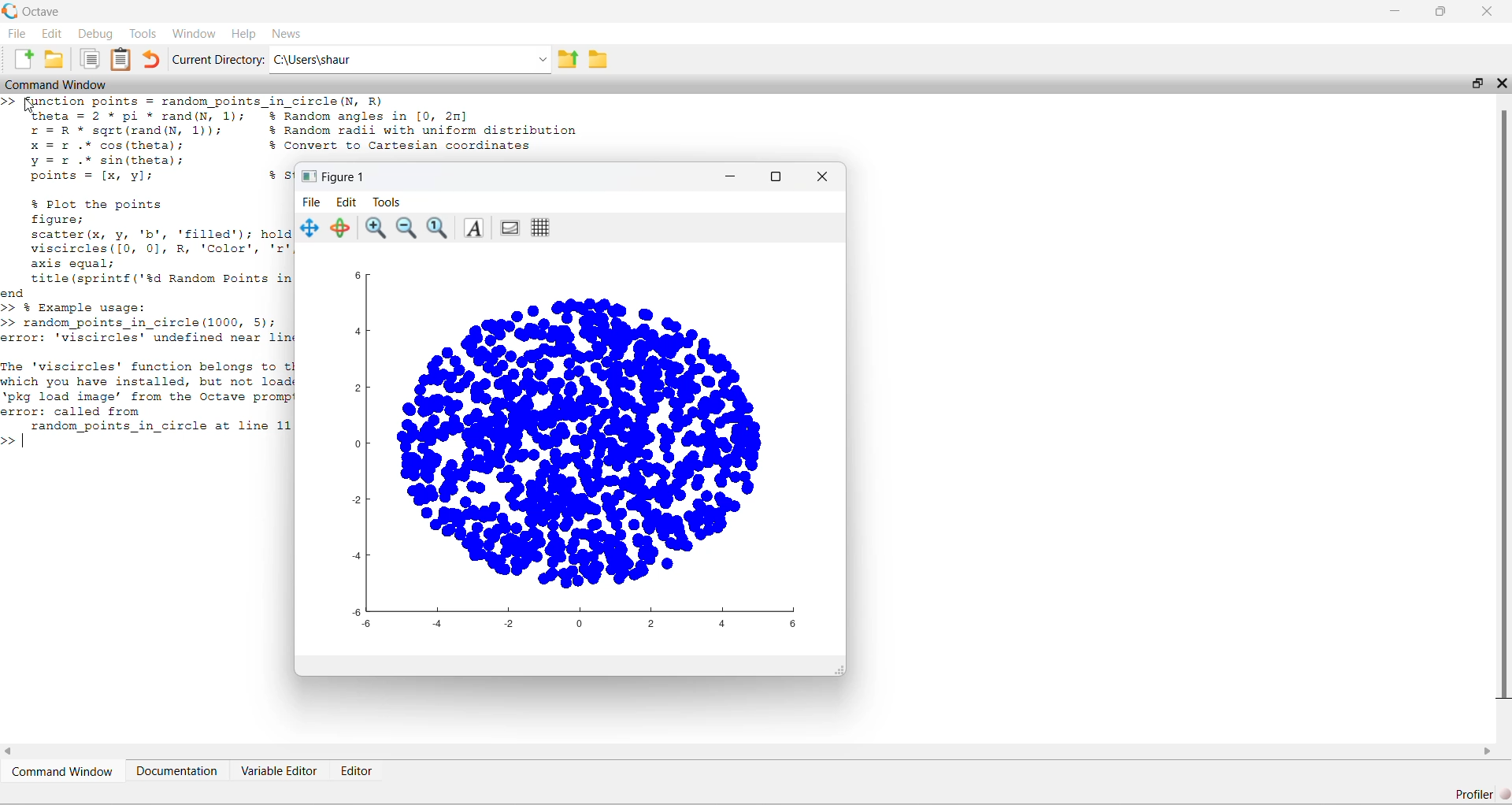 The width and height of the screenshot is (1512, 805). I want to click on Toggle current axes visibility, so click(509, 228).